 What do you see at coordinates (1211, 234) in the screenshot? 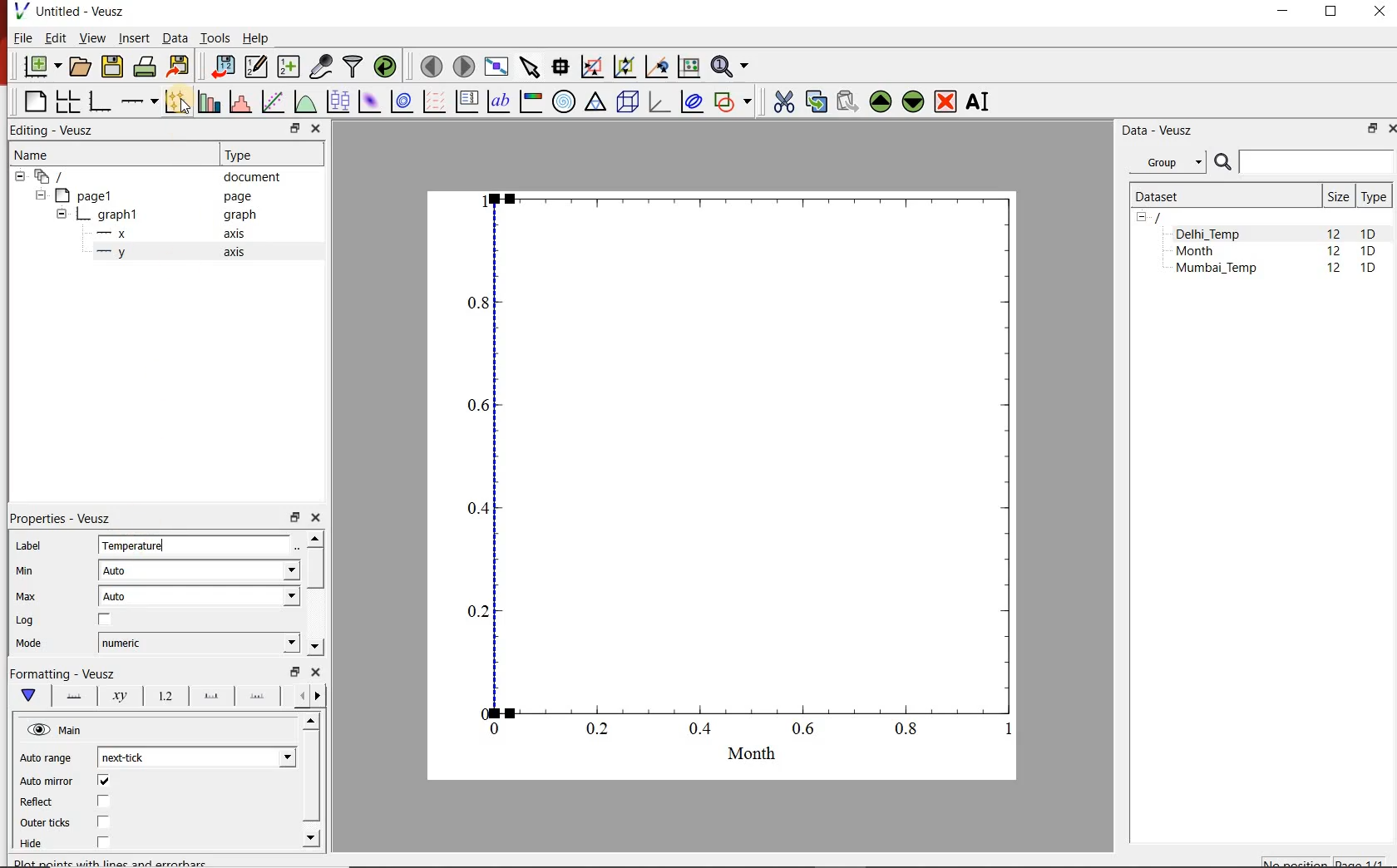
I see `Delhi_Temp` at bounding box center [1211, 234].